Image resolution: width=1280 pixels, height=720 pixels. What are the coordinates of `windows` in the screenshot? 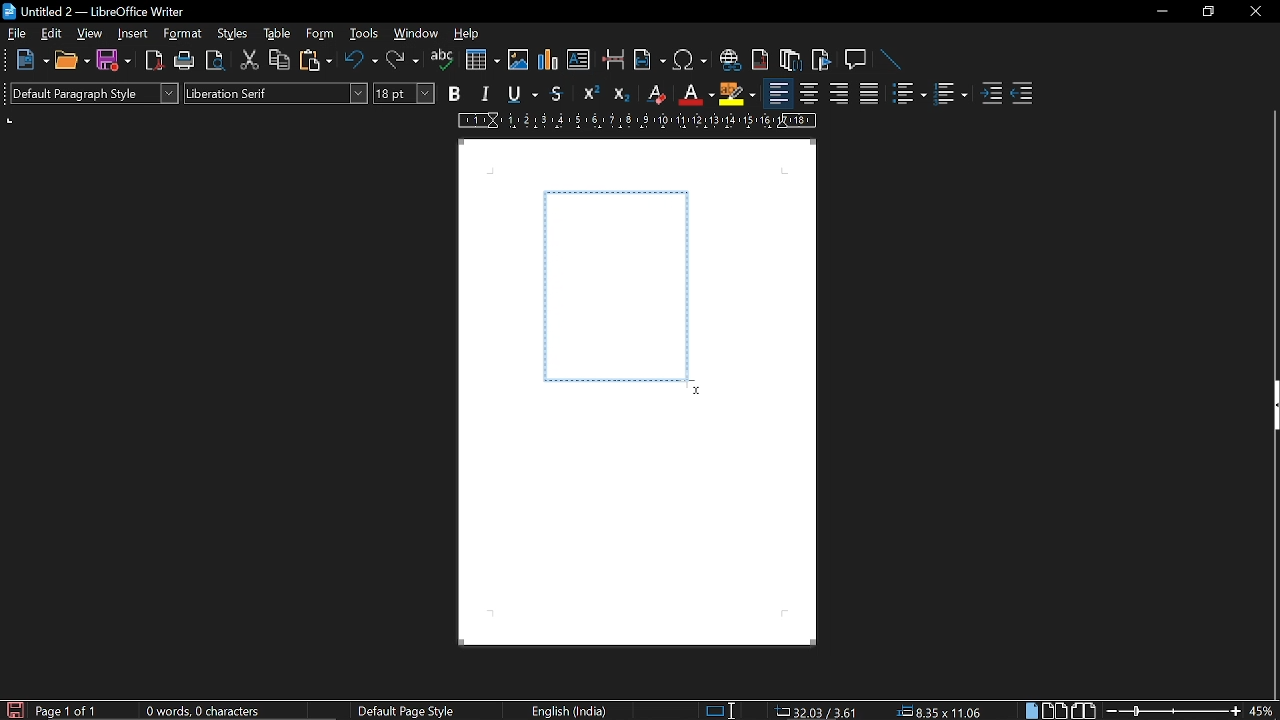 It's located at (416, 35).